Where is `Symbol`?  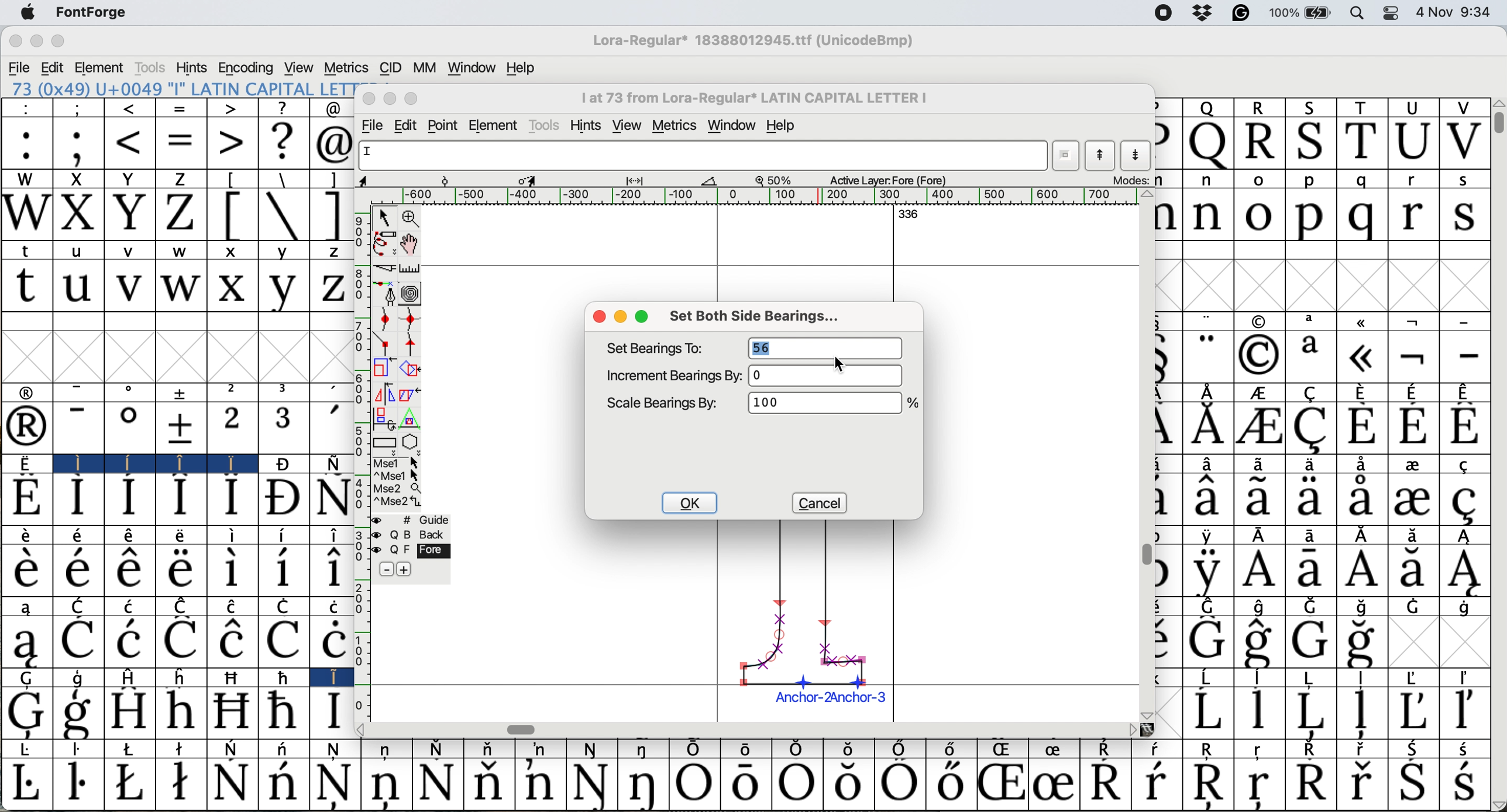 Symbol is located at coordinates (1358, 643).